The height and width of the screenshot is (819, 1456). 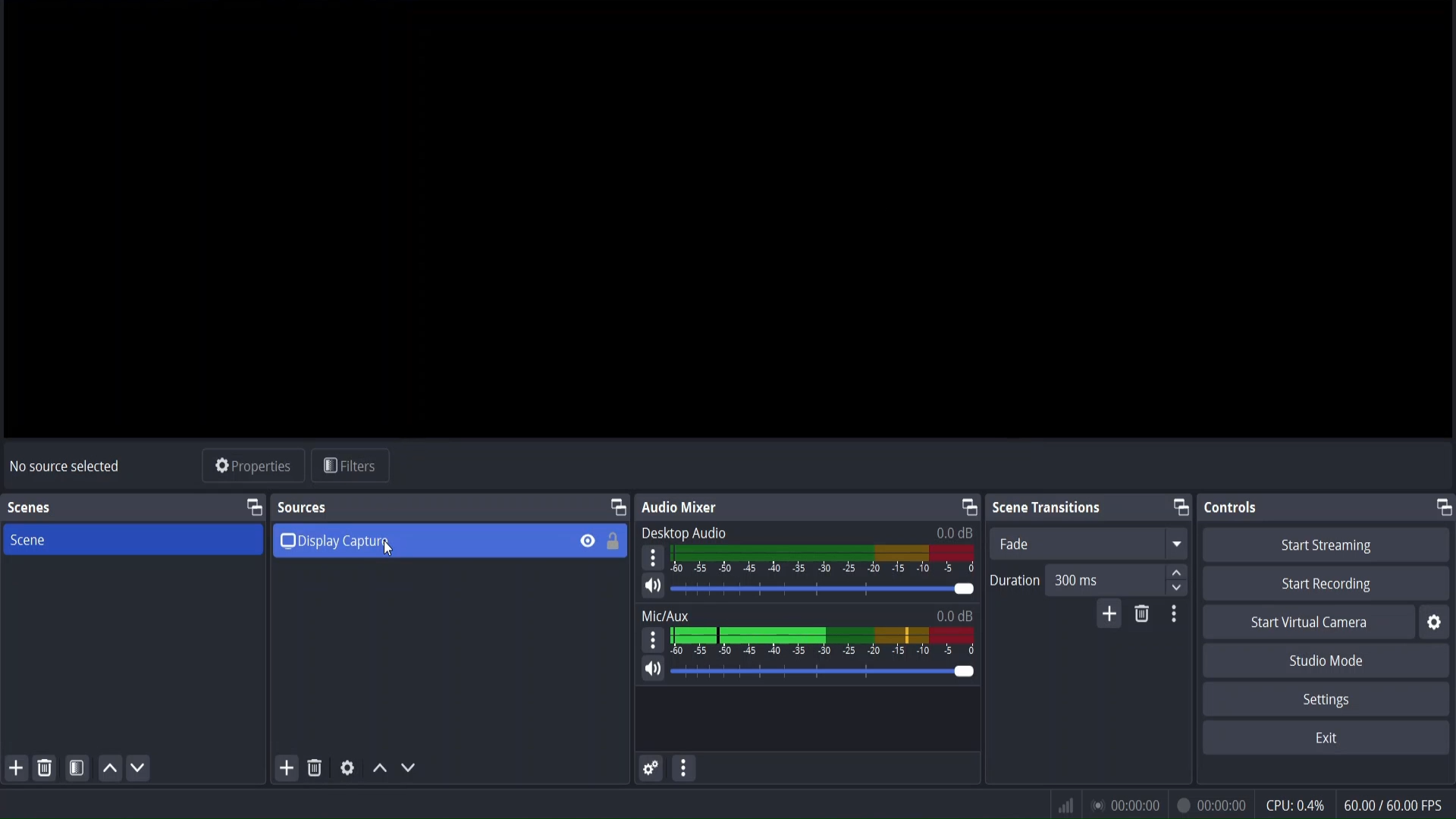 What do you see at coordinates (315, 767) in the screenshot?
I see `remove selected source` at bounding box center [315, 767].